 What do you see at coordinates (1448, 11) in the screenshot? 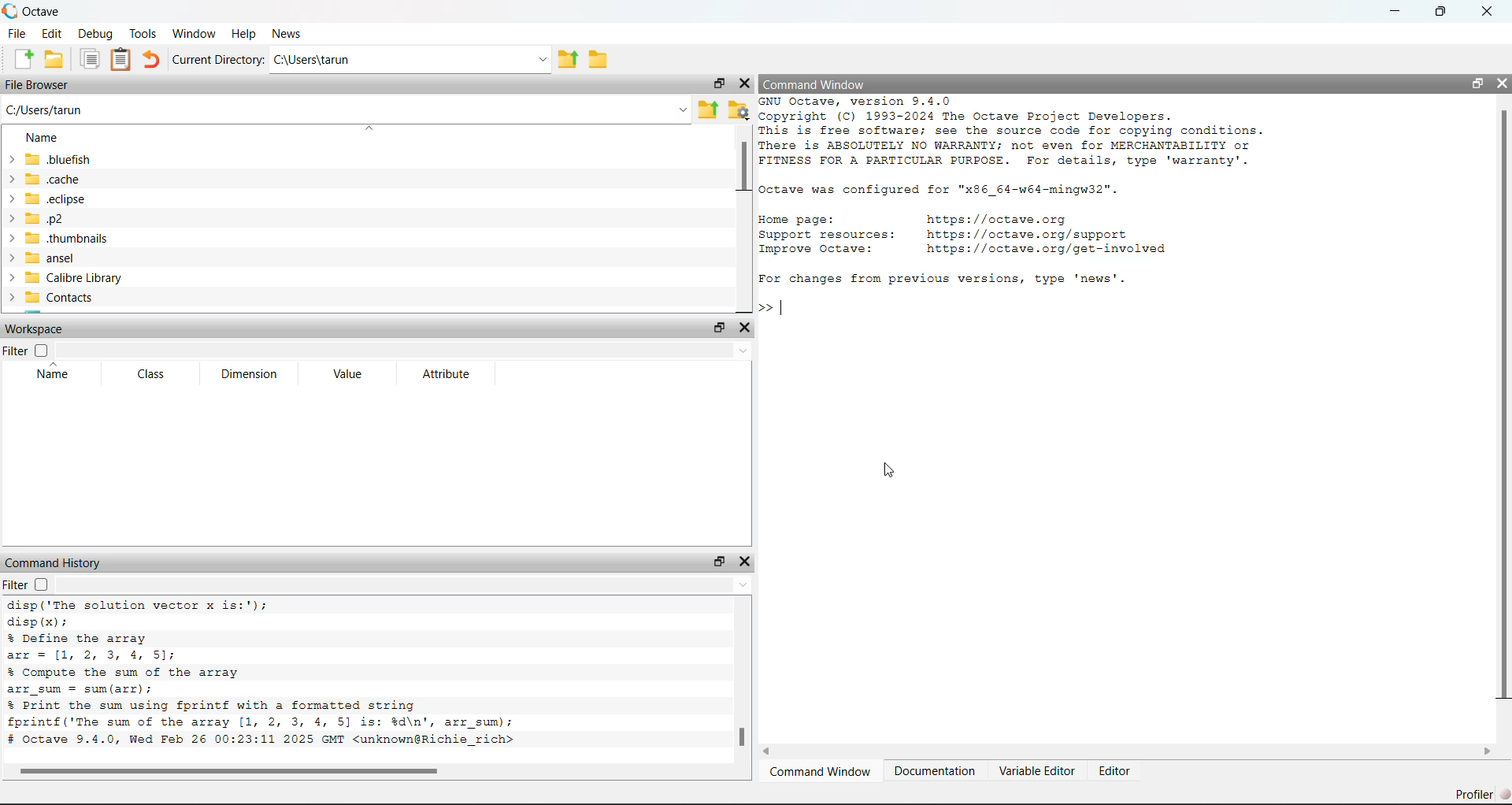
I see `Maximize` at bounding box center [1448, 11].